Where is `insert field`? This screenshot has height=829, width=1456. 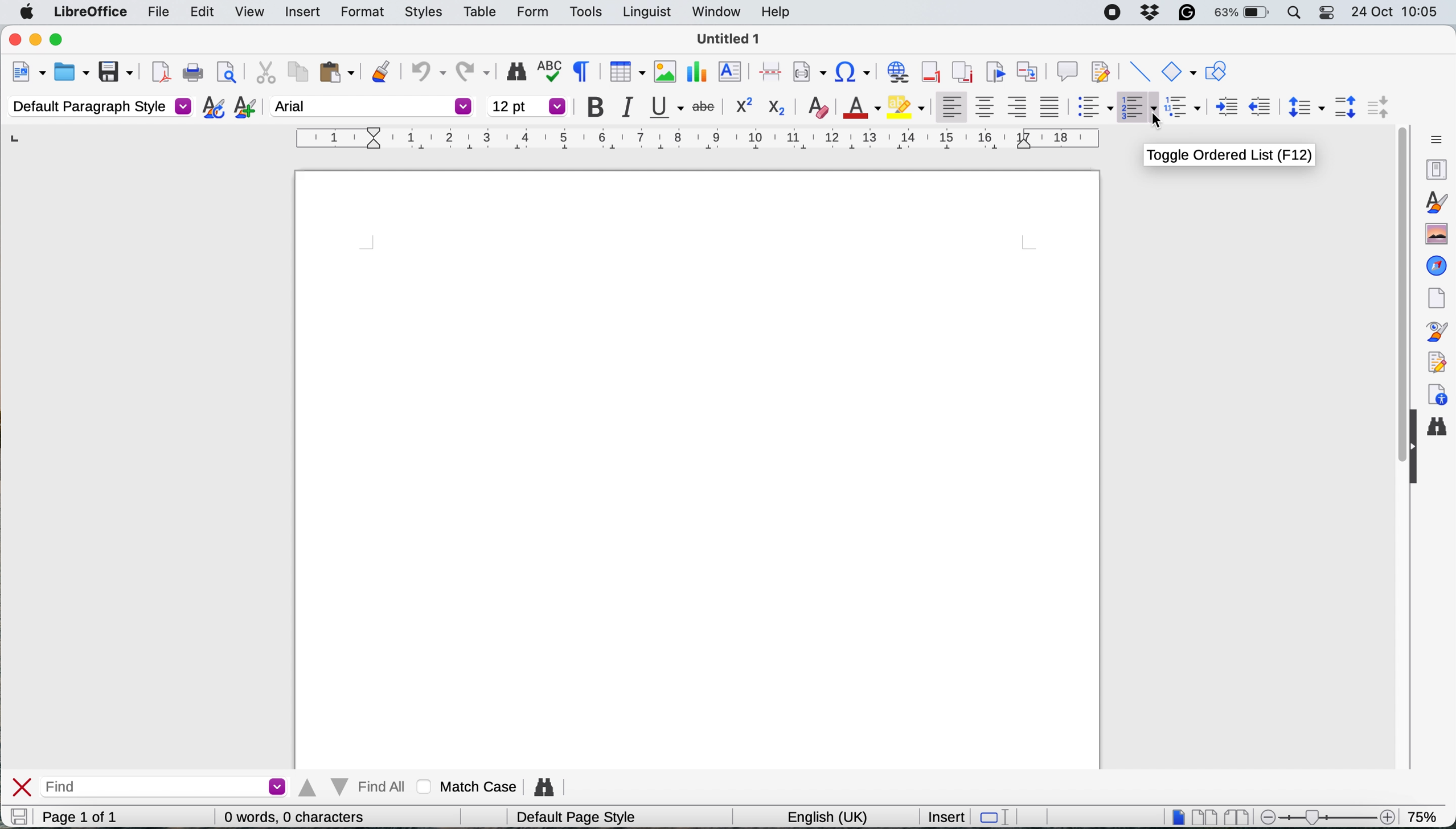 insert field is located at coordinates (809, 73).